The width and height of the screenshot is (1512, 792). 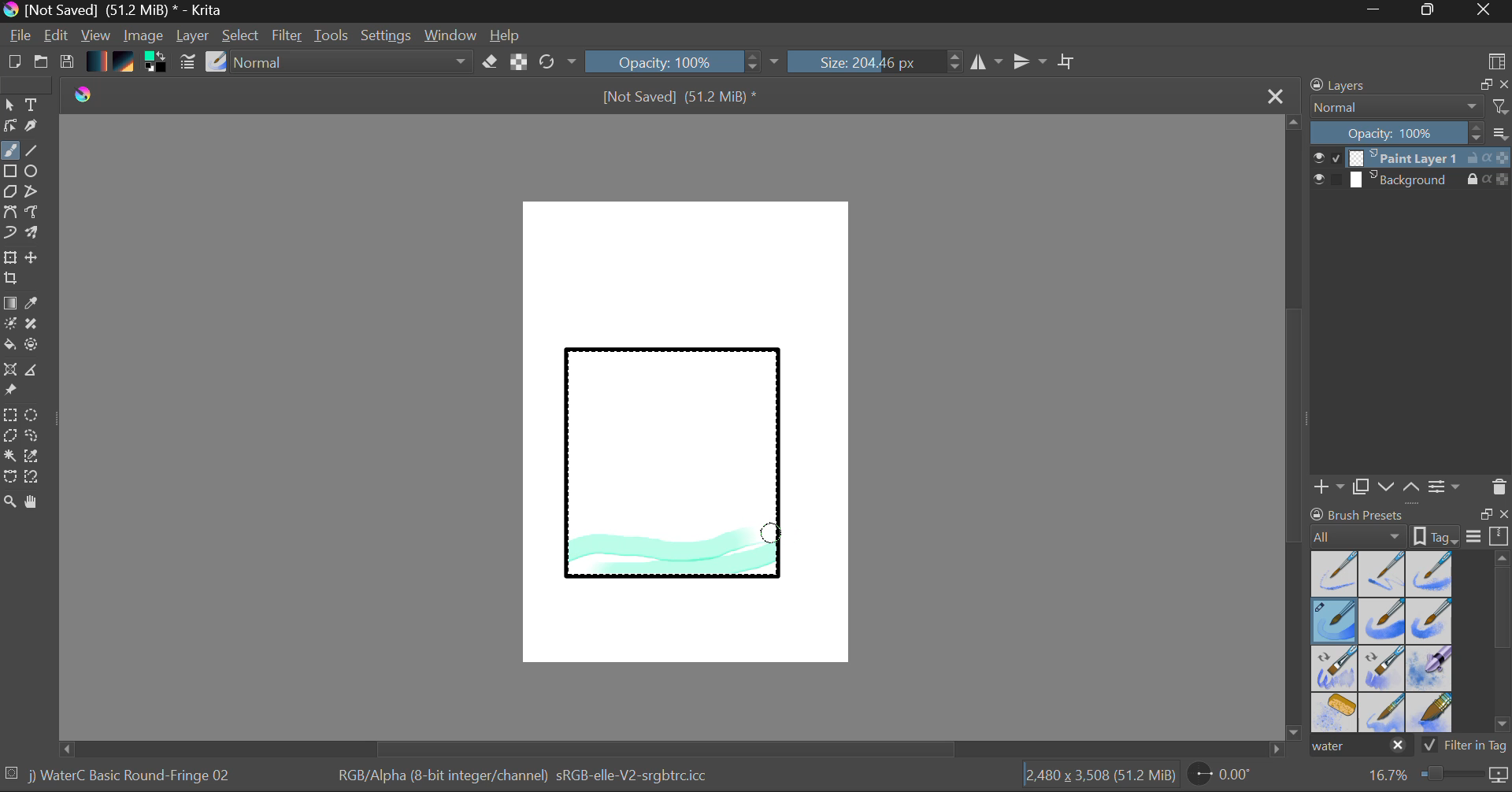 What do you see at coordinates (521, 777) in the screenshot?
I see `Color Information` at bounding box center [521, 777].